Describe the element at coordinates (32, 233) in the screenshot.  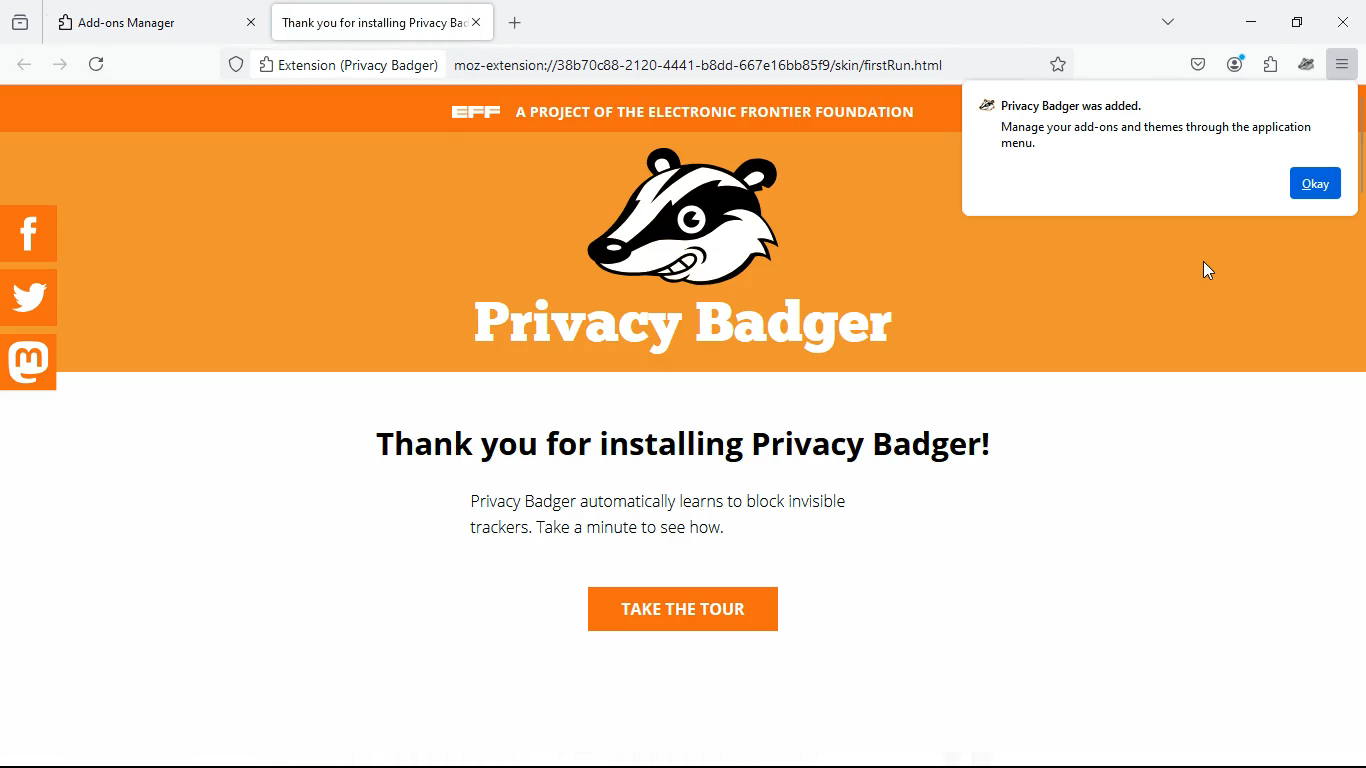
I see `facebook` at that location.